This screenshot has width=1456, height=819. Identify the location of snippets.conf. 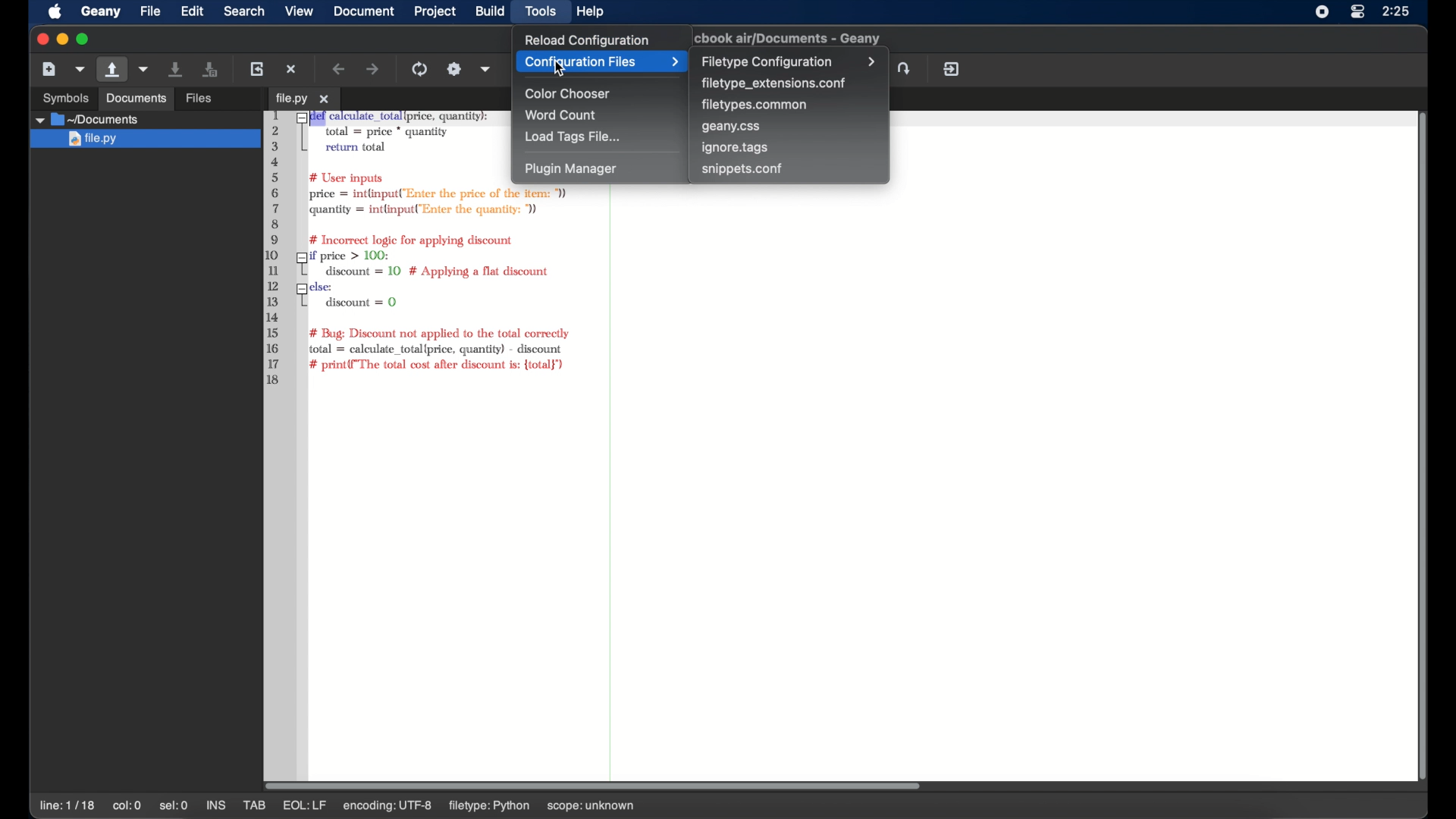
(742, 168).